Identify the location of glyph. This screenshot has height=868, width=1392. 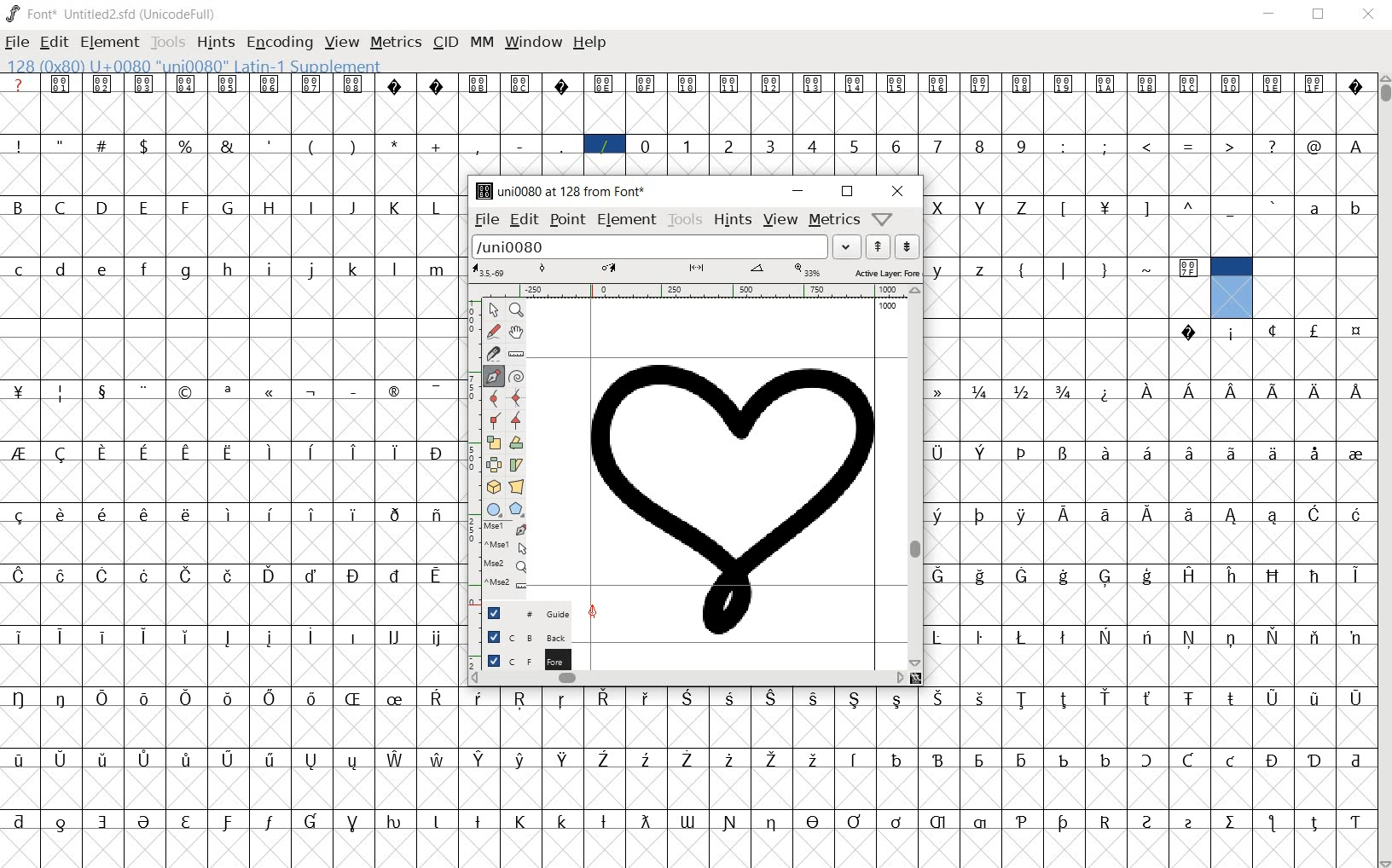
(687, 84).